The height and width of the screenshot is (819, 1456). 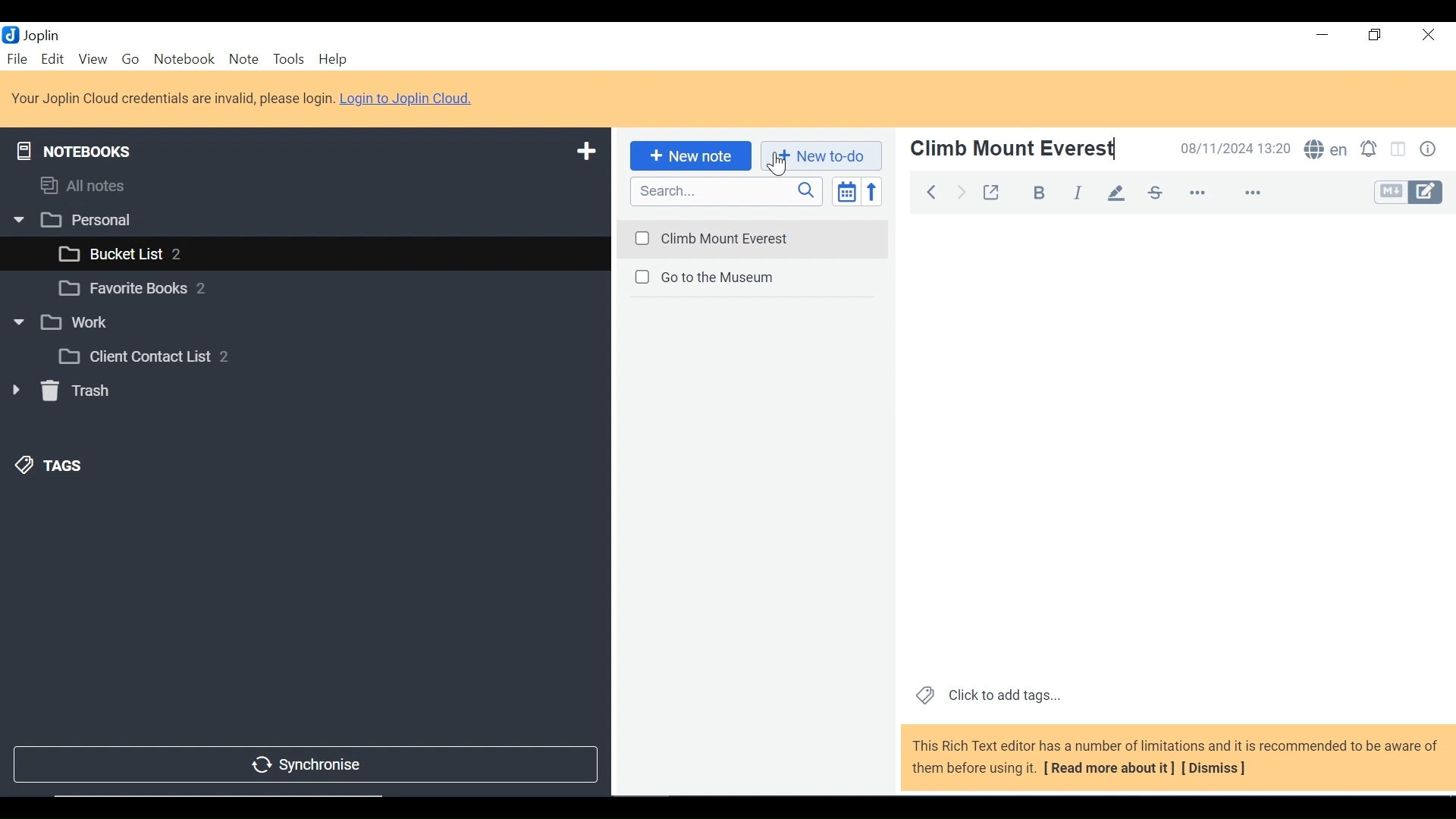 What do you see at coordinates (306, 322) in the screenshot?
I see `Notebook` at bounding box center [306, 322].